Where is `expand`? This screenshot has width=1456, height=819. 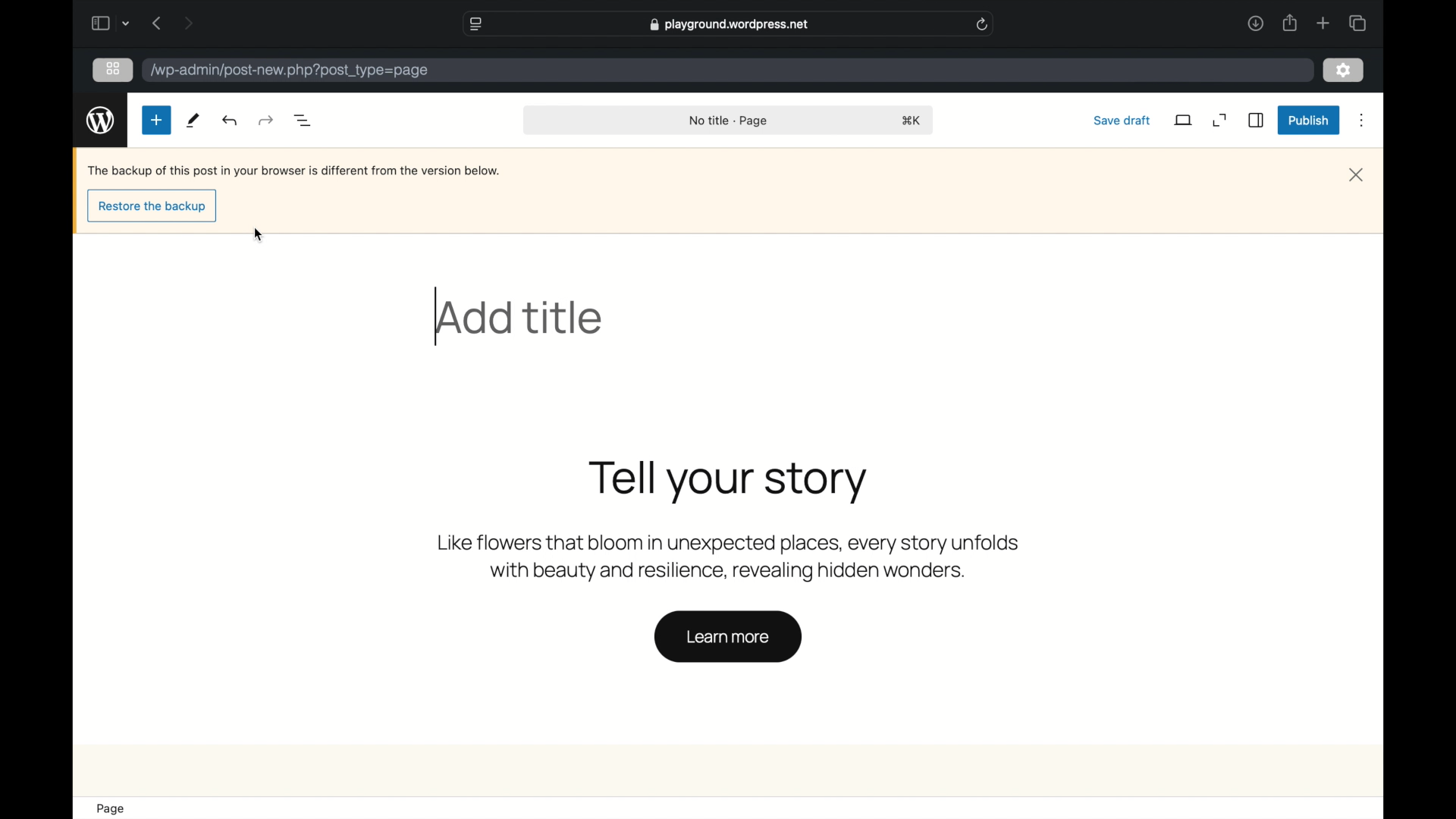
expand is located at coordinates (1219, 120).